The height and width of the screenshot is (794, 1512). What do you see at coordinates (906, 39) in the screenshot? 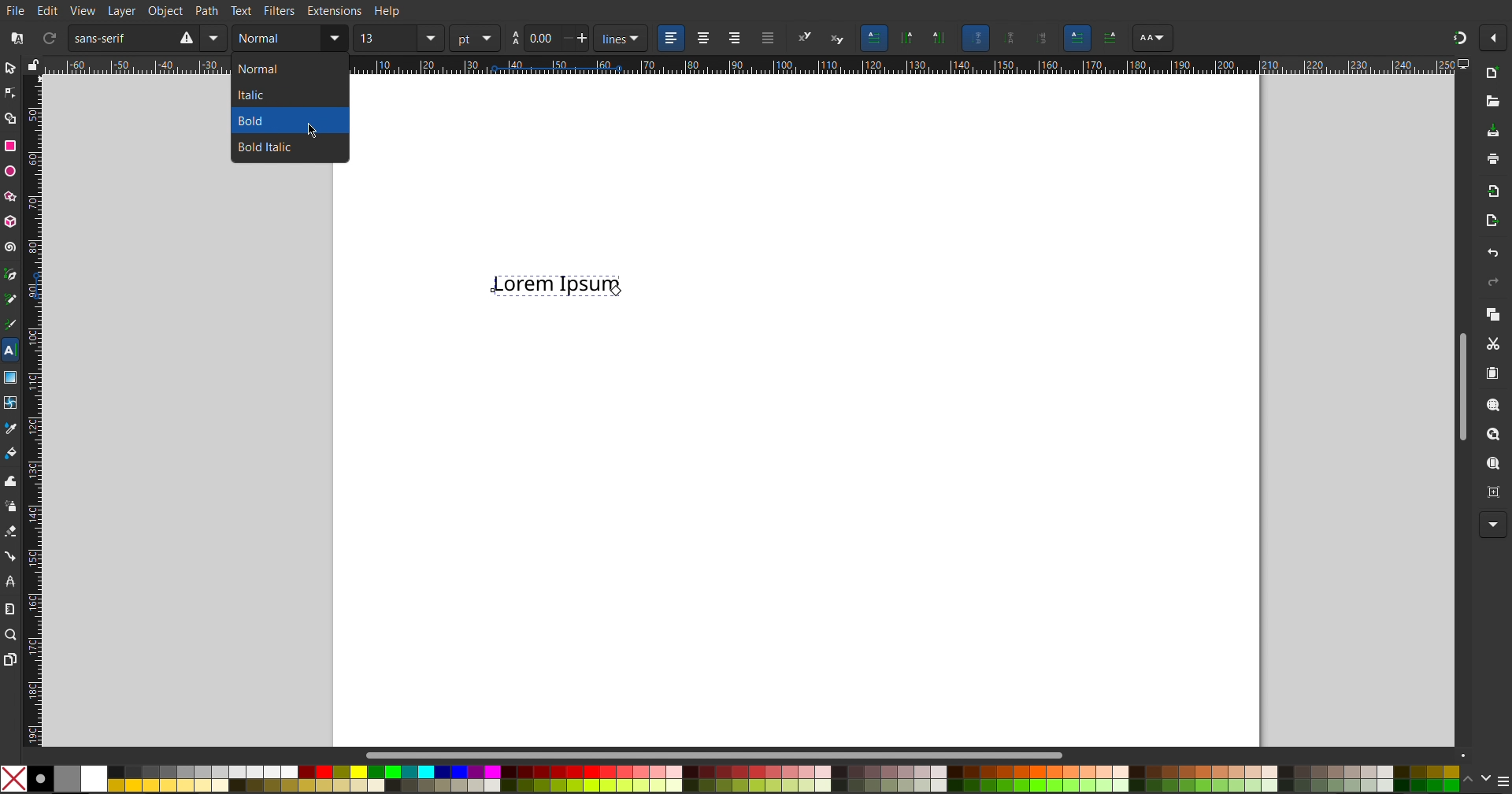
I see `Vertical text right to left` at bounding box center [906, 39].